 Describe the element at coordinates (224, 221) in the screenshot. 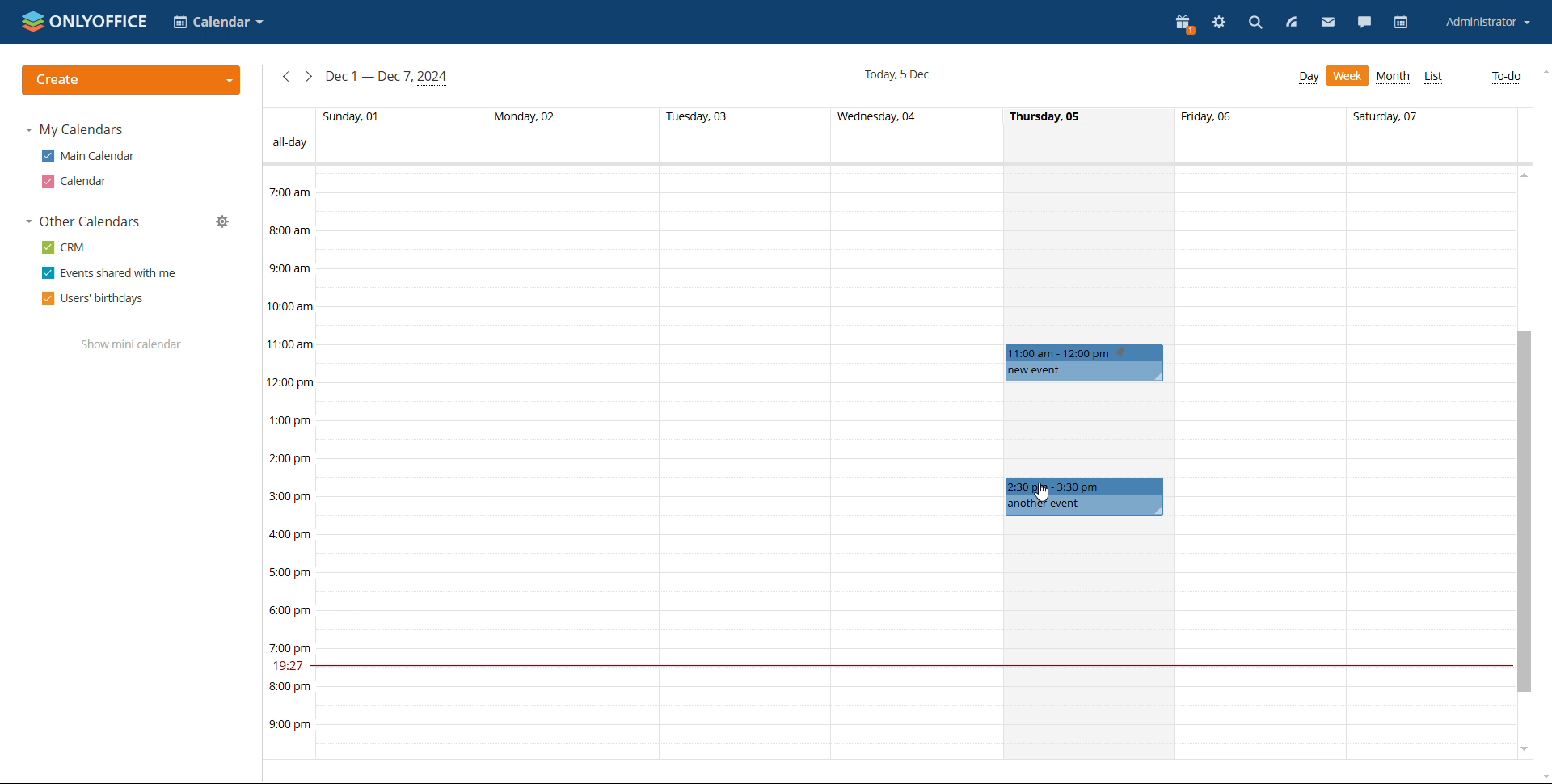

I see `manage` at that location.